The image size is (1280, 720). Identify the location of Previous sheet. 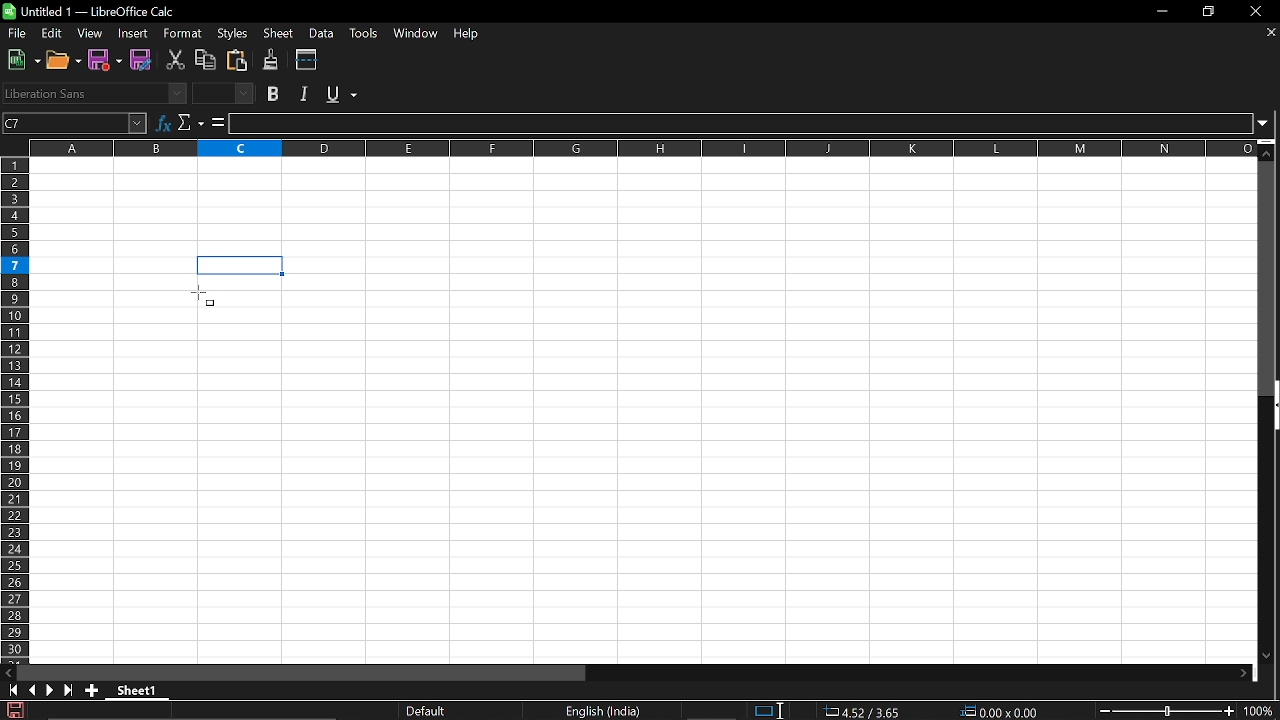
(31, 690).